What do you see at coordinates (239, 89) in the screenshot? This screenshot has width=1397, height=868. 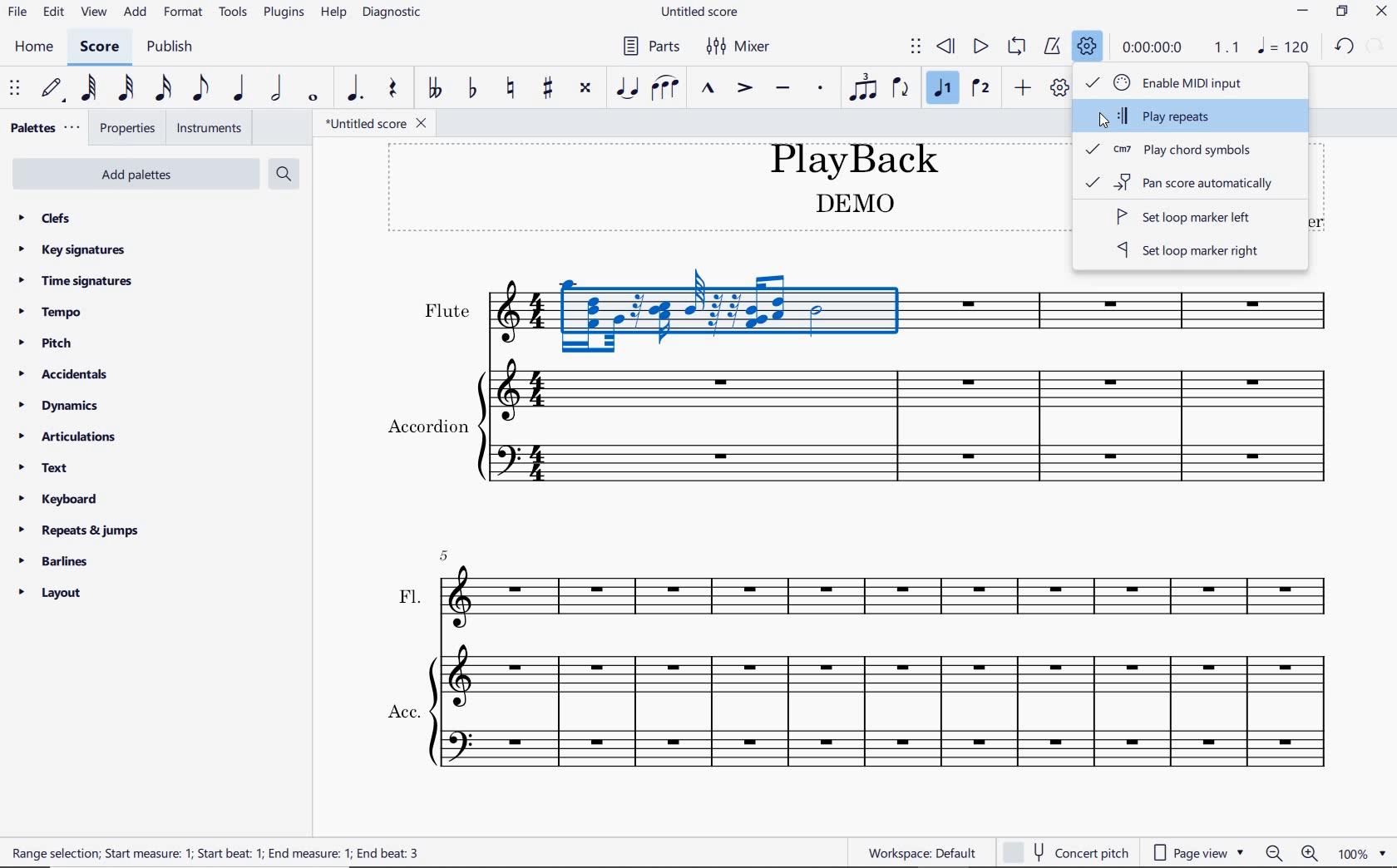 I see `quarter note` at bounding box center [239, 89].